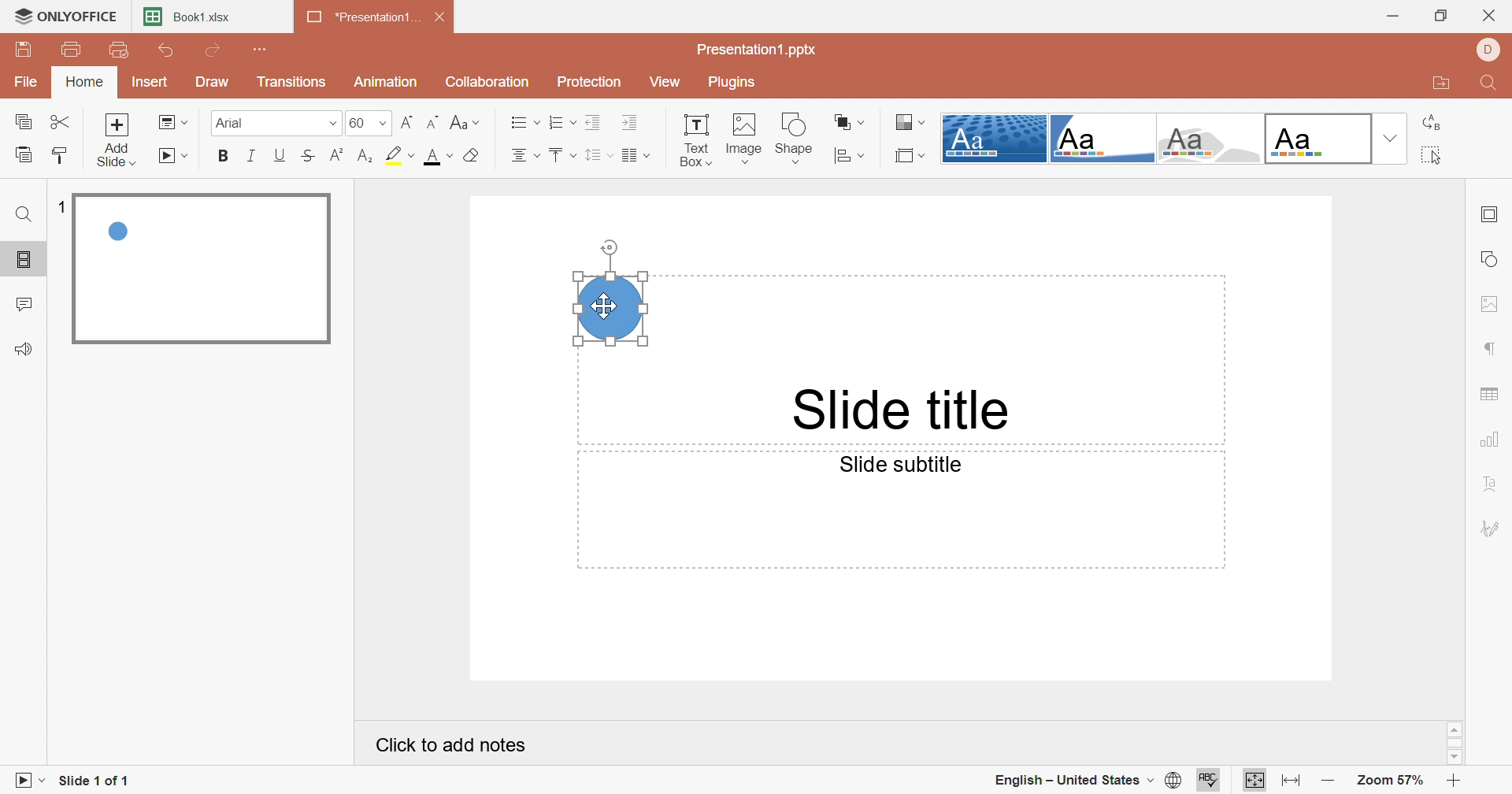 The height and width of the screenshot is (794, 1512). Describe the element at coordinates (1210, 139) in the screenshot. I see `Turtle` at that location.